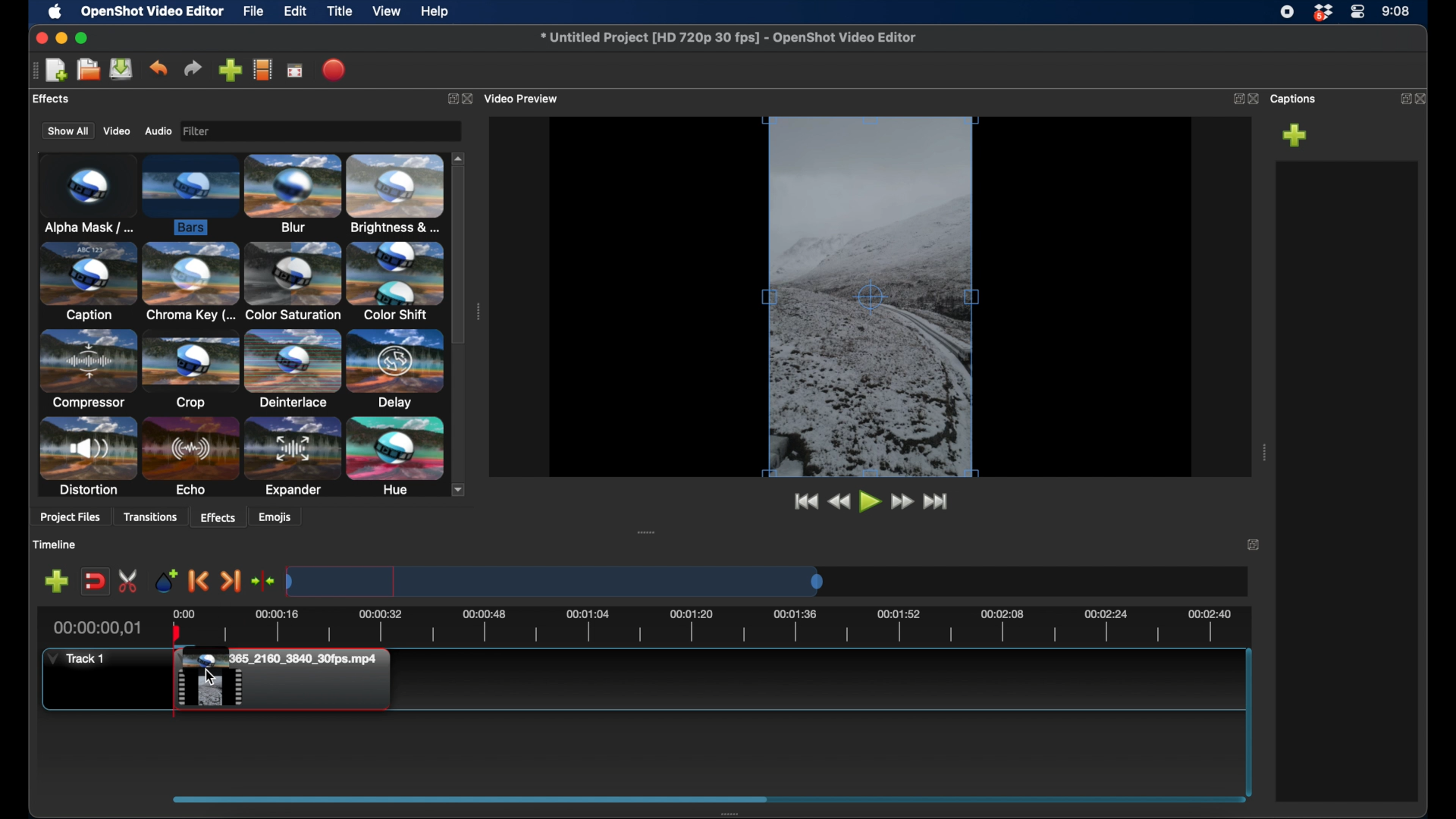 The height and width of the screenshot is (819, 1456). What do you see at coordinates (1295, 135) in the screenshot?
I see `add` at bounding box center [1295, 135].